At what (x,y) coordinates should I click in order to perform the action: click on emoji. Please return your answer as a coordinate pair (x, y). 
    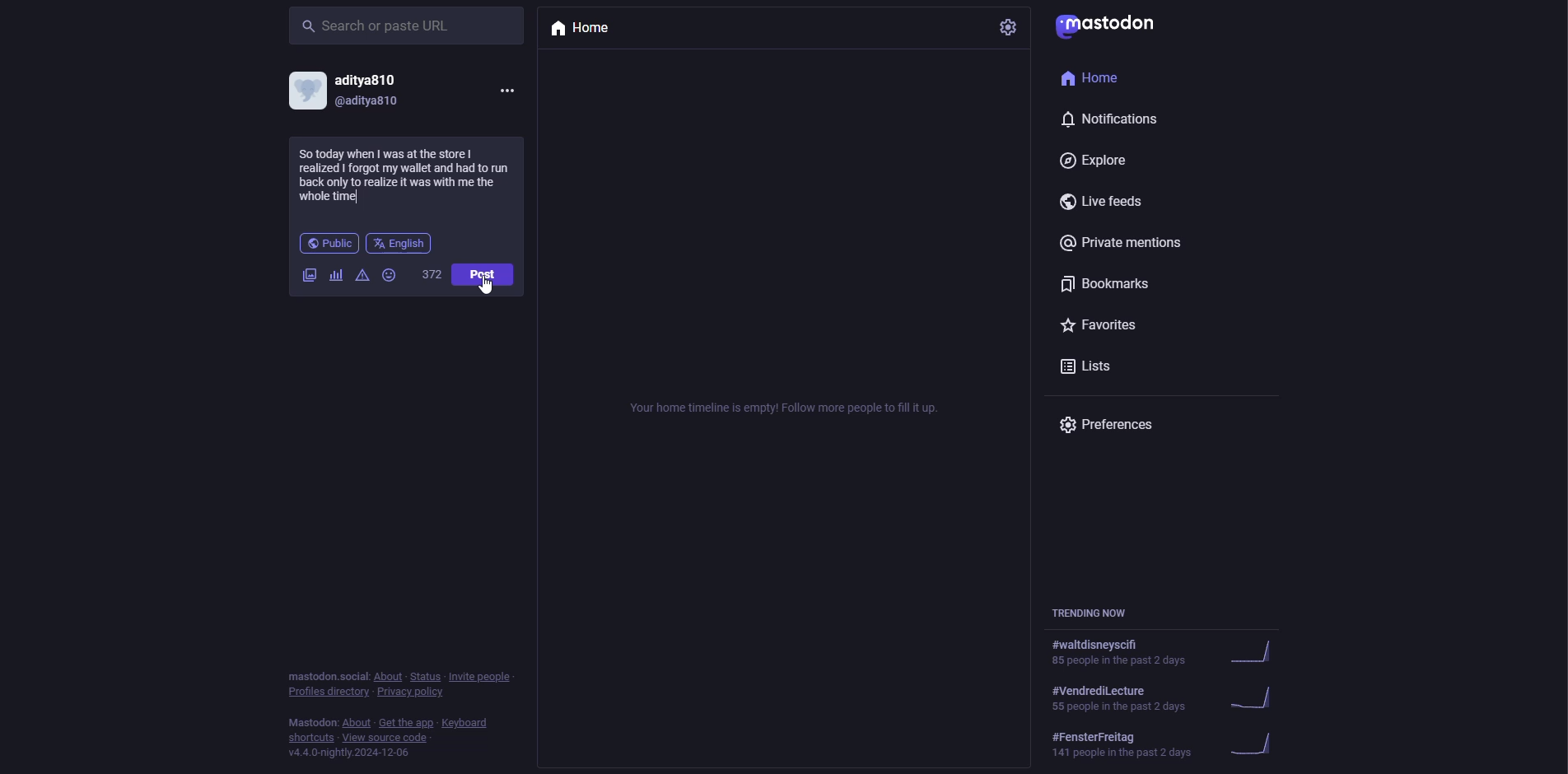
    Looking at the image, I should click on (390, 275).